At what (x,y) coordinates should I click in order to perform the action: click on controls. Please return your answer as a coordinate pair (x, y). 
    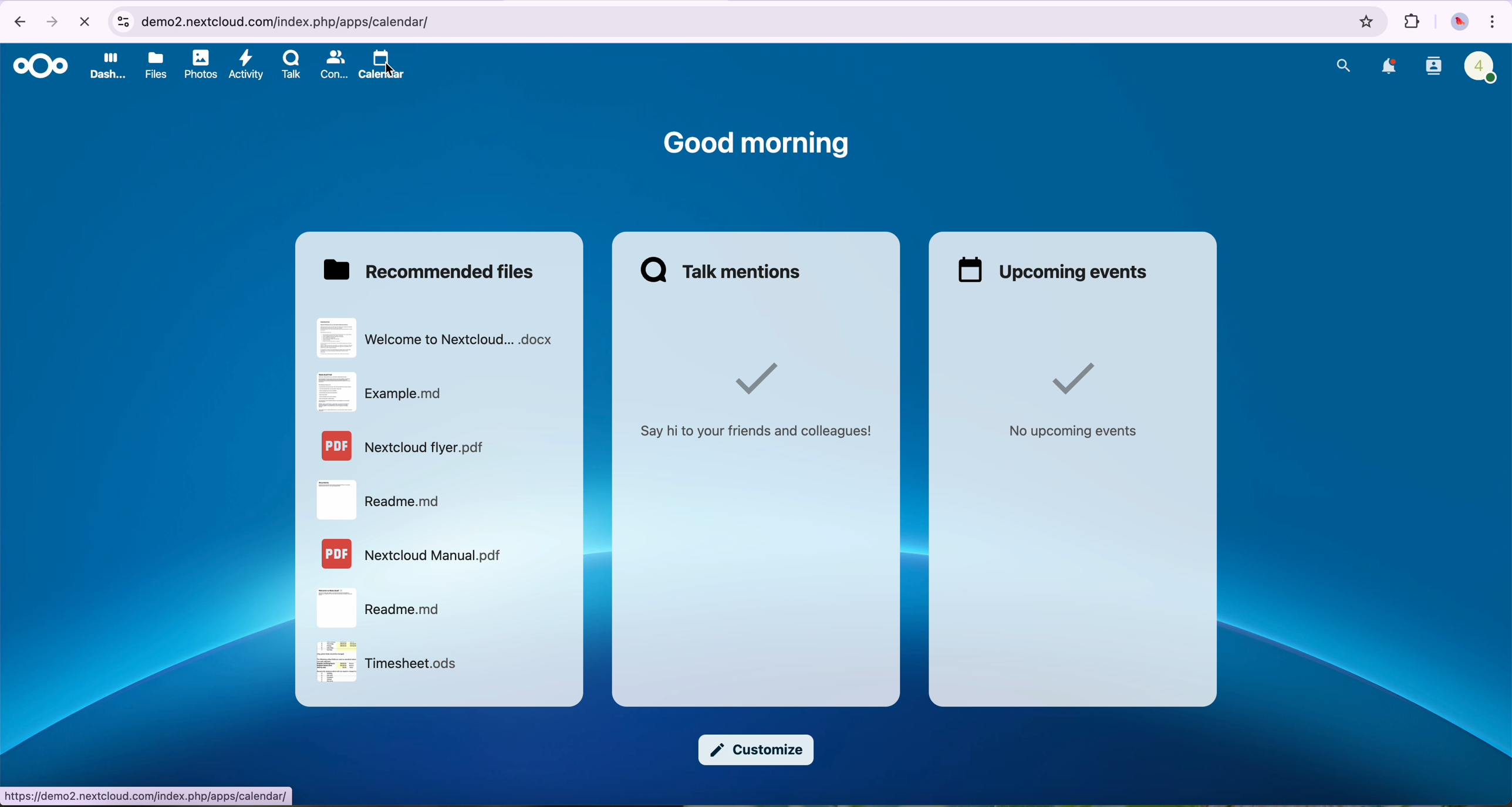
    Looking at the image, I should click on (122, 22).